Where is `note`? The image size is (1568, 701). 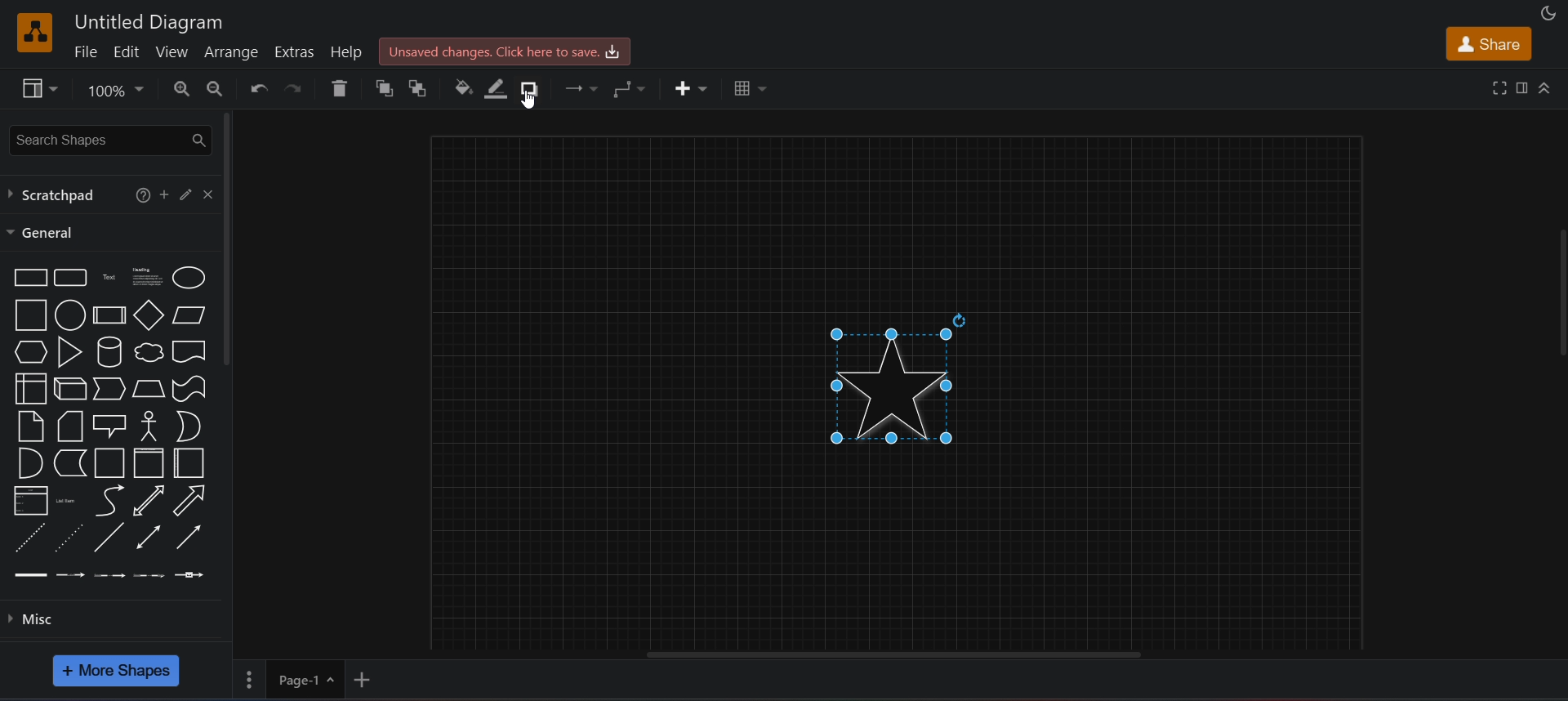 note is located at coordinates (30, 424).